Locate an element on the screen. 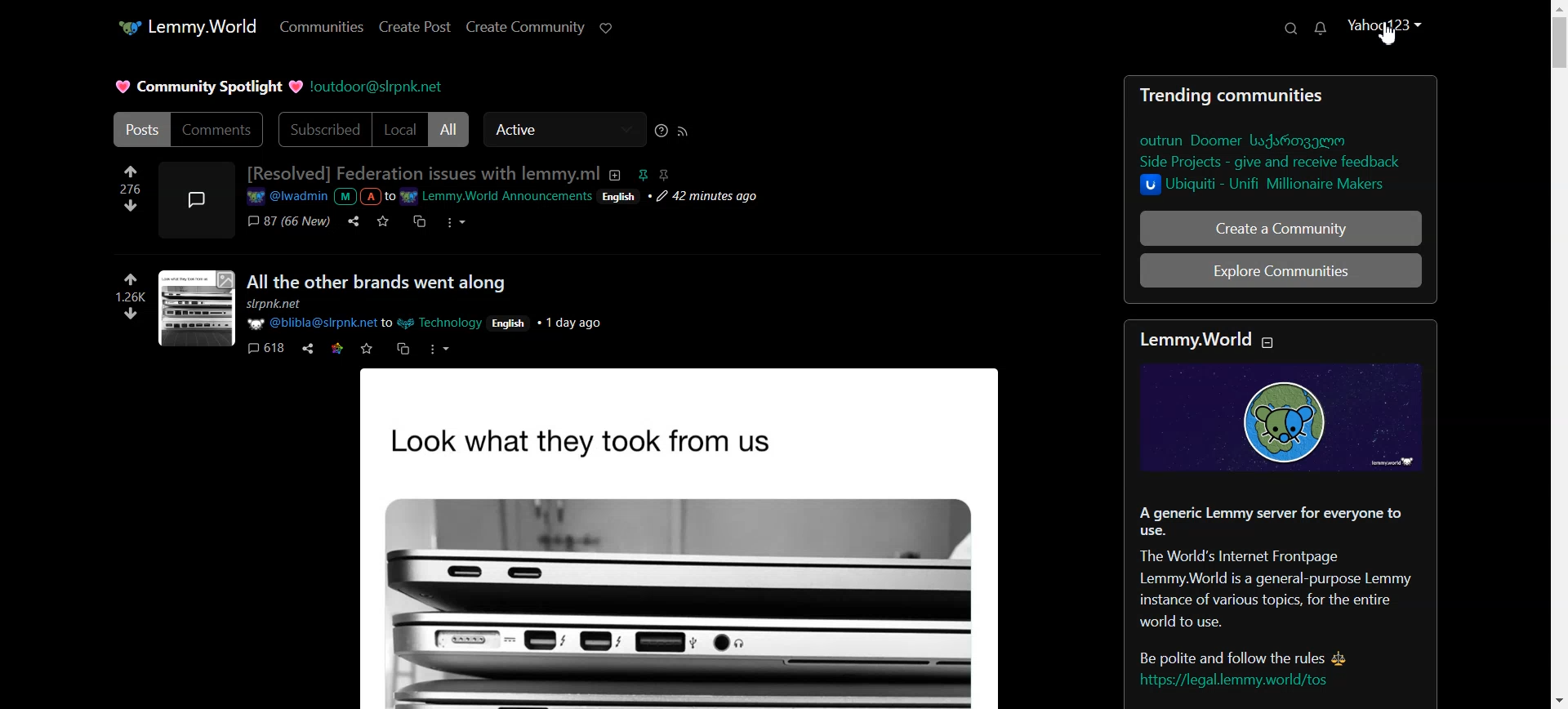 This screenshot has height=709, width=1568. Vertical scroll bar is located at coordinates (1558, 354).